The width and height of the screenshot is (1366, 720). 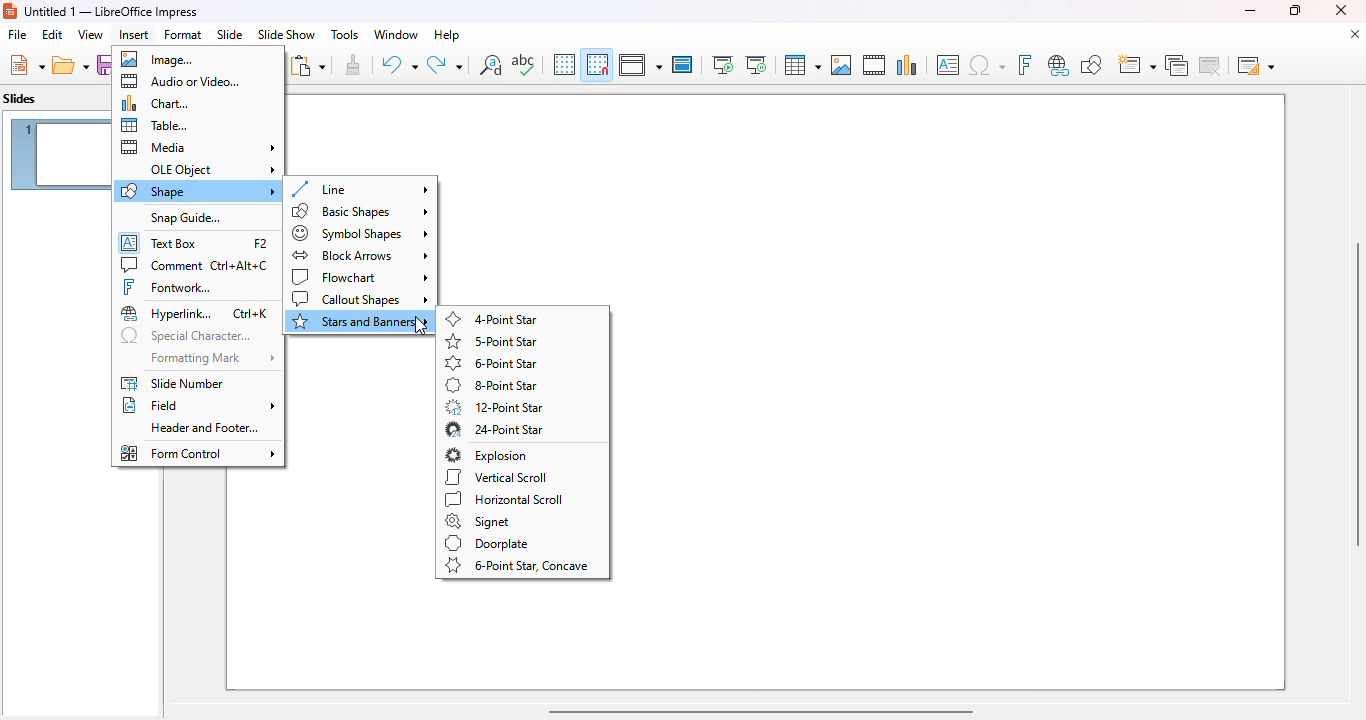 I want to click on maximize, so click(x=1293, y=10).